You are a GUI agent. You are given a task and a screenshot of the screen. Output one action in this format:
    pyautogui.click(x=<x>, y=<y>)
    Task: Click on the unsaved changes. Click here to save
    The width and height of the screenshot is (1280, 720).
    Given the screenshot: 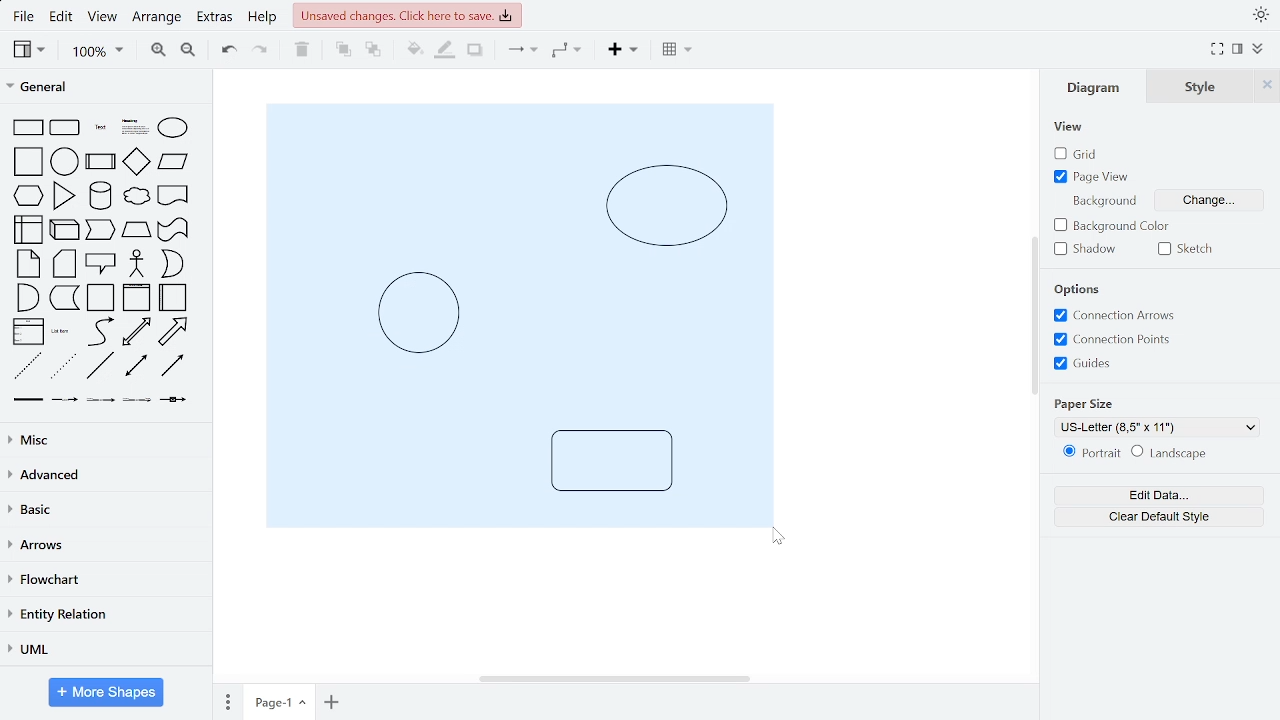 What is the action you would take?
    pyautogui.click(x=407, y=15)
    